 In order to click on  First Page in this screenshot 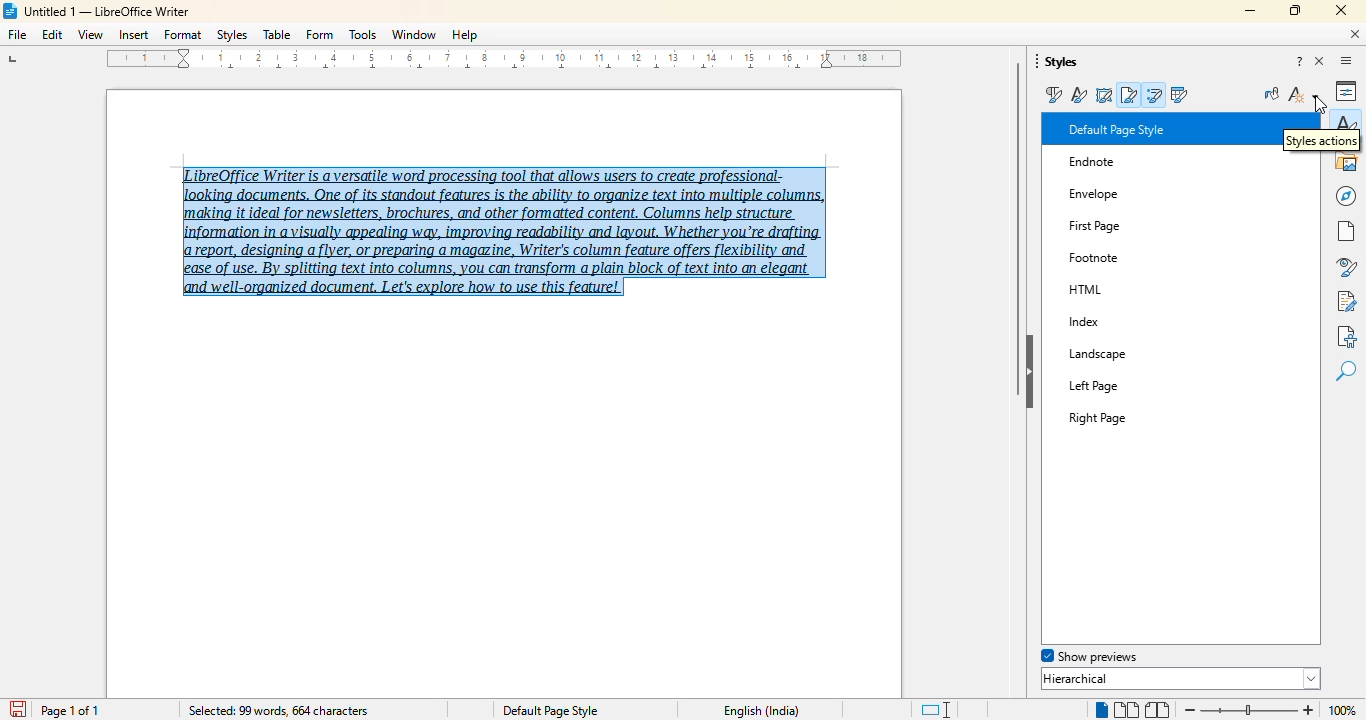, I will do `click(1117, 221)`.